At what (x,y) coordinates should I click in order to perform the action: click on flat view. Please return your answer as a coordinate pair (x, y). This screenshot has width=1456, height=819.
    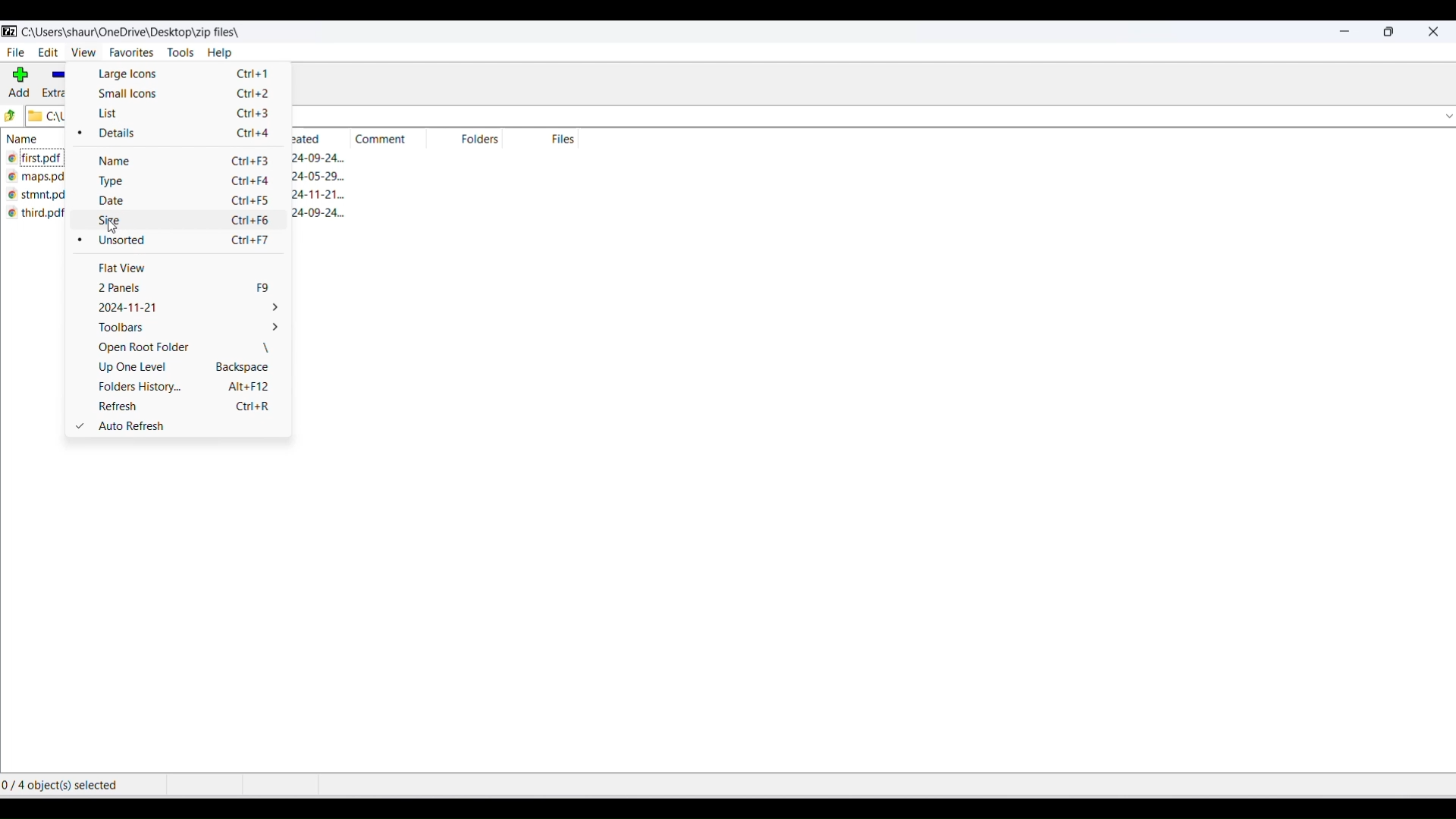
    Looking at the image, I should click on (179, 269).